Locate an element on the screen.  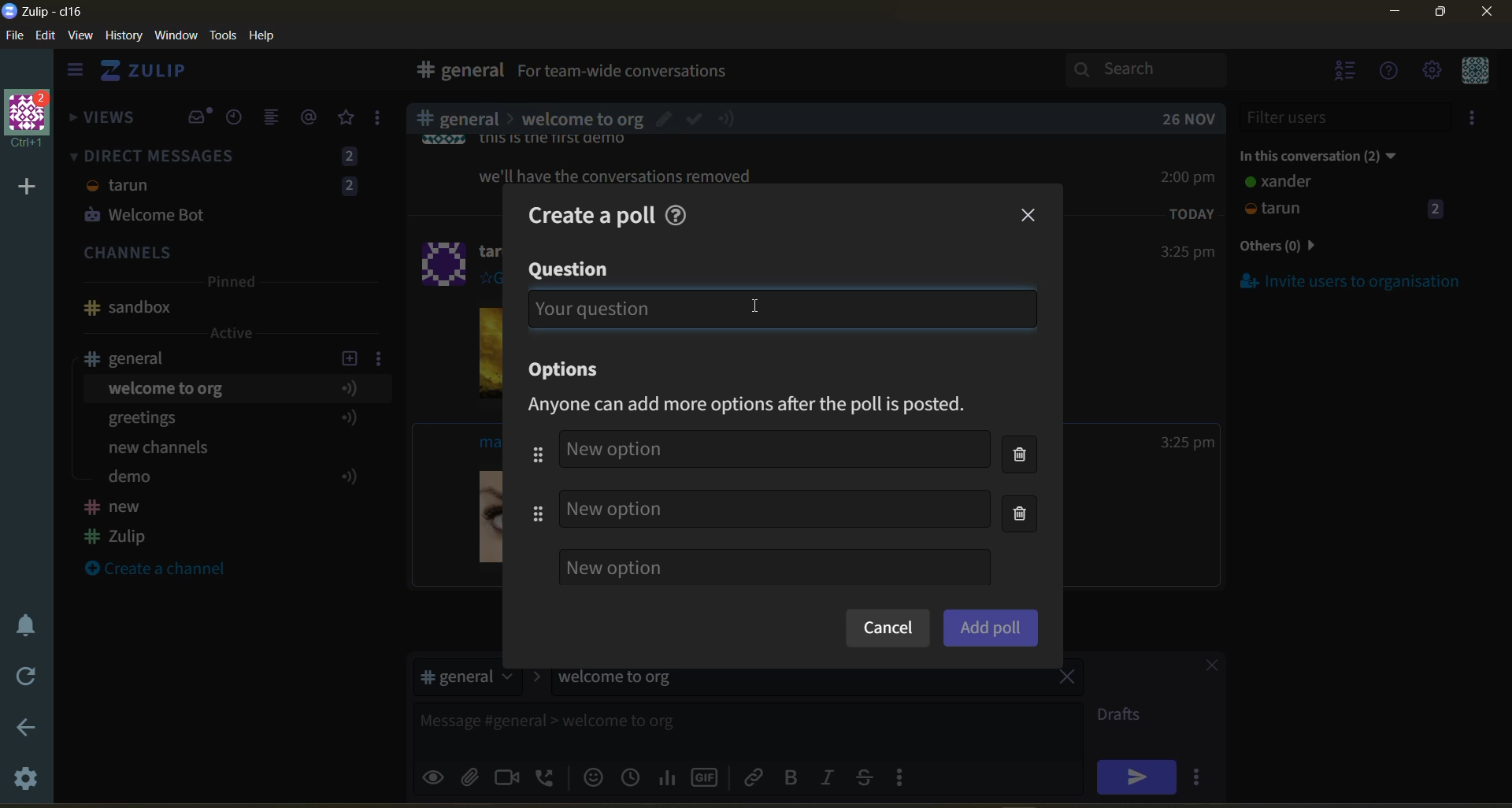
add gif is located at coordinates (708, 776).